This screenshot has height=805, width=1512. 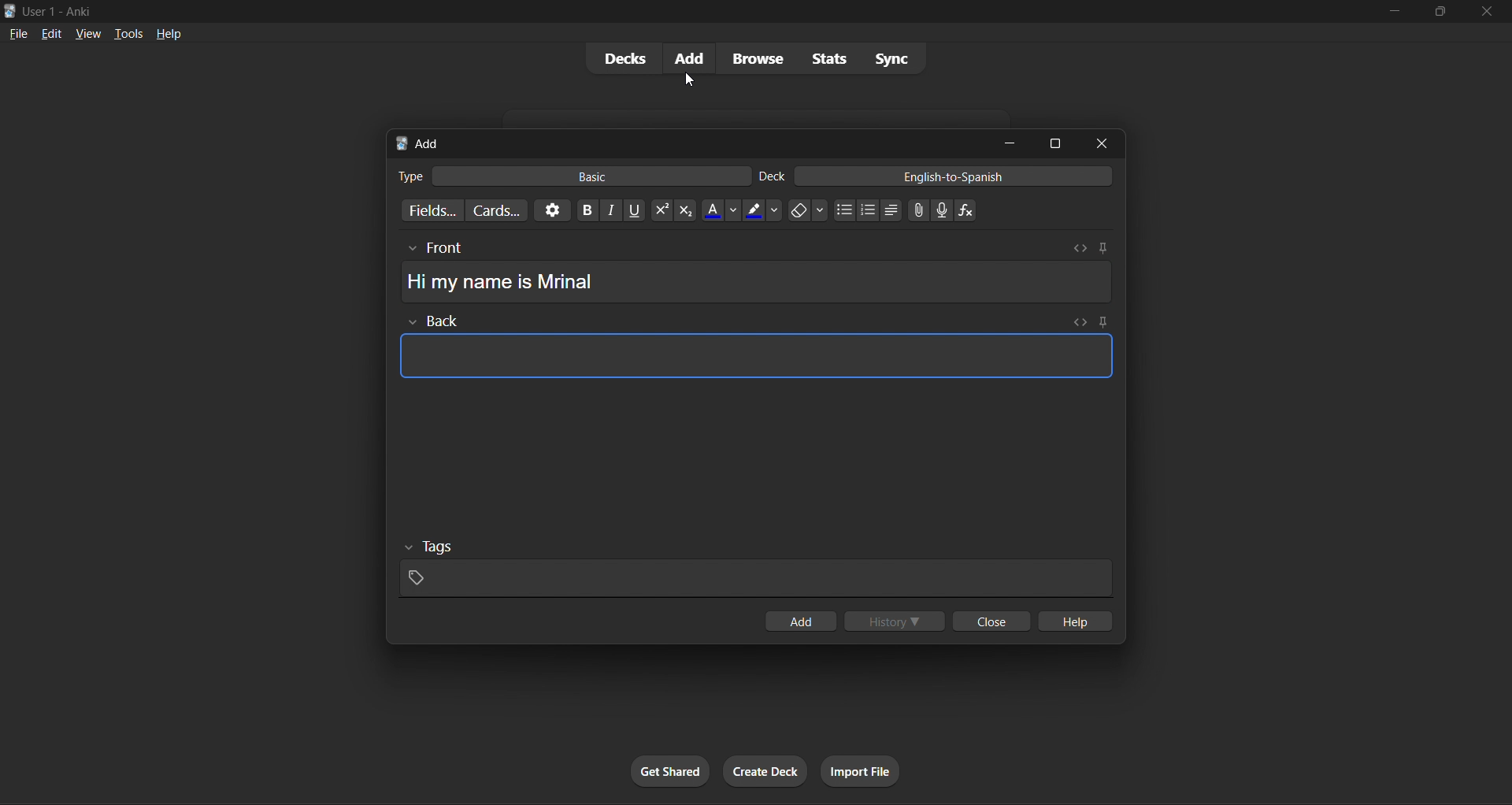 I want to click on create deck, so click(x=762, y=769).